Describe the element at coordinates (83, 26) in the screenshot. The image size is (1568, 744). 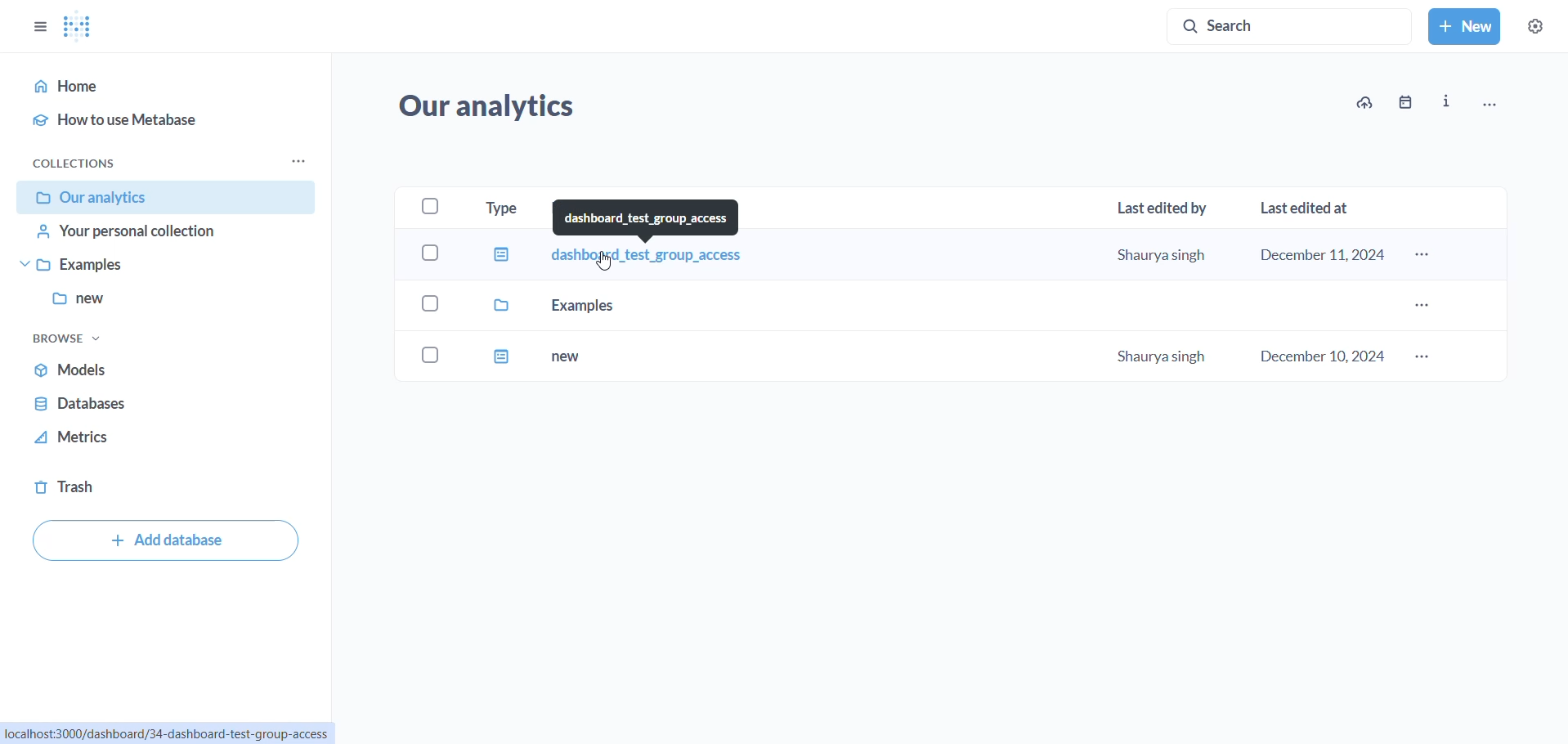
I see `metabase Logo` at that location.